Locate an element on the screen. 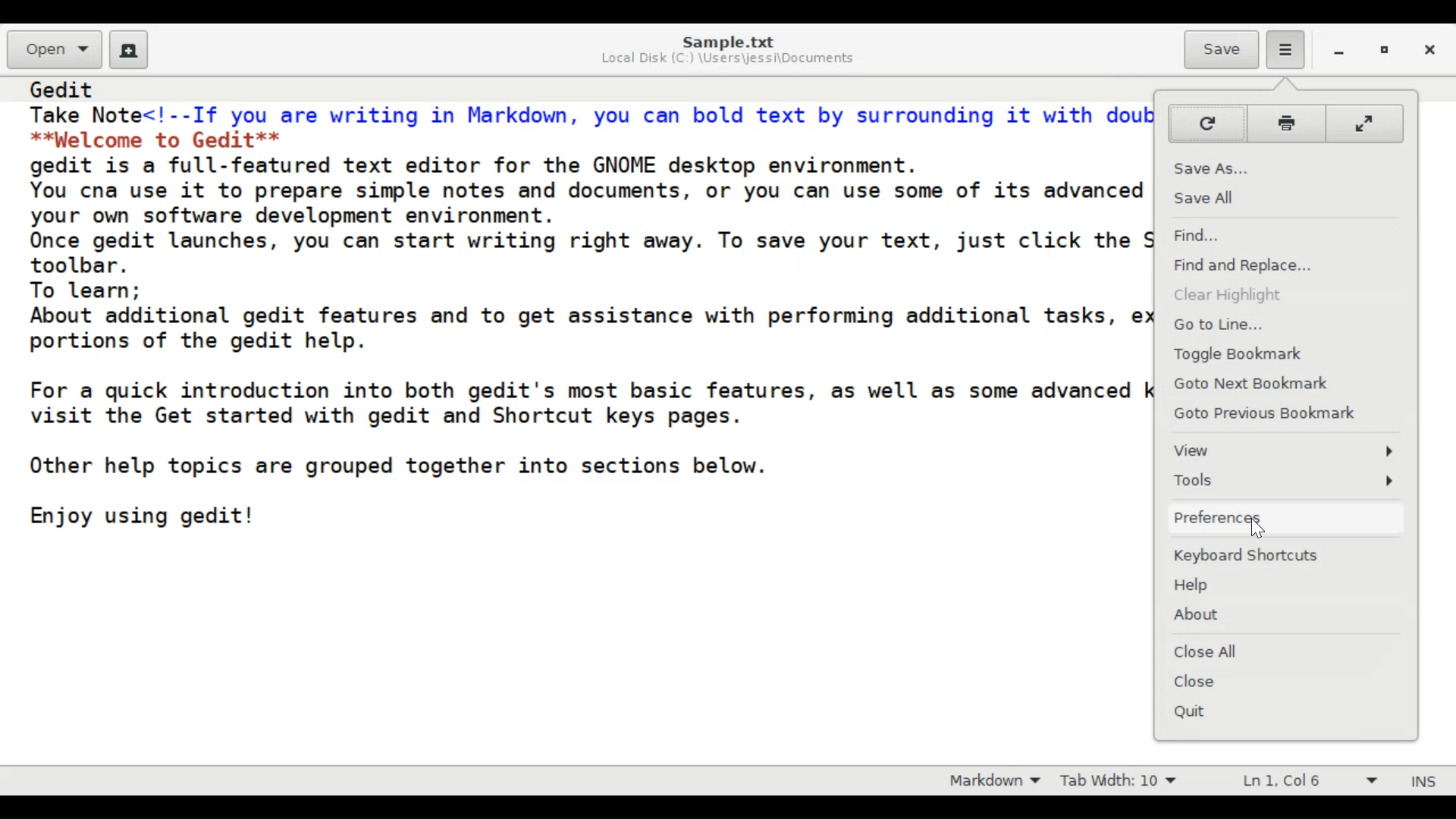 Image resolution: width=1456 pixels, height=819 pixels. Close is located at coordinates (1211, 682).